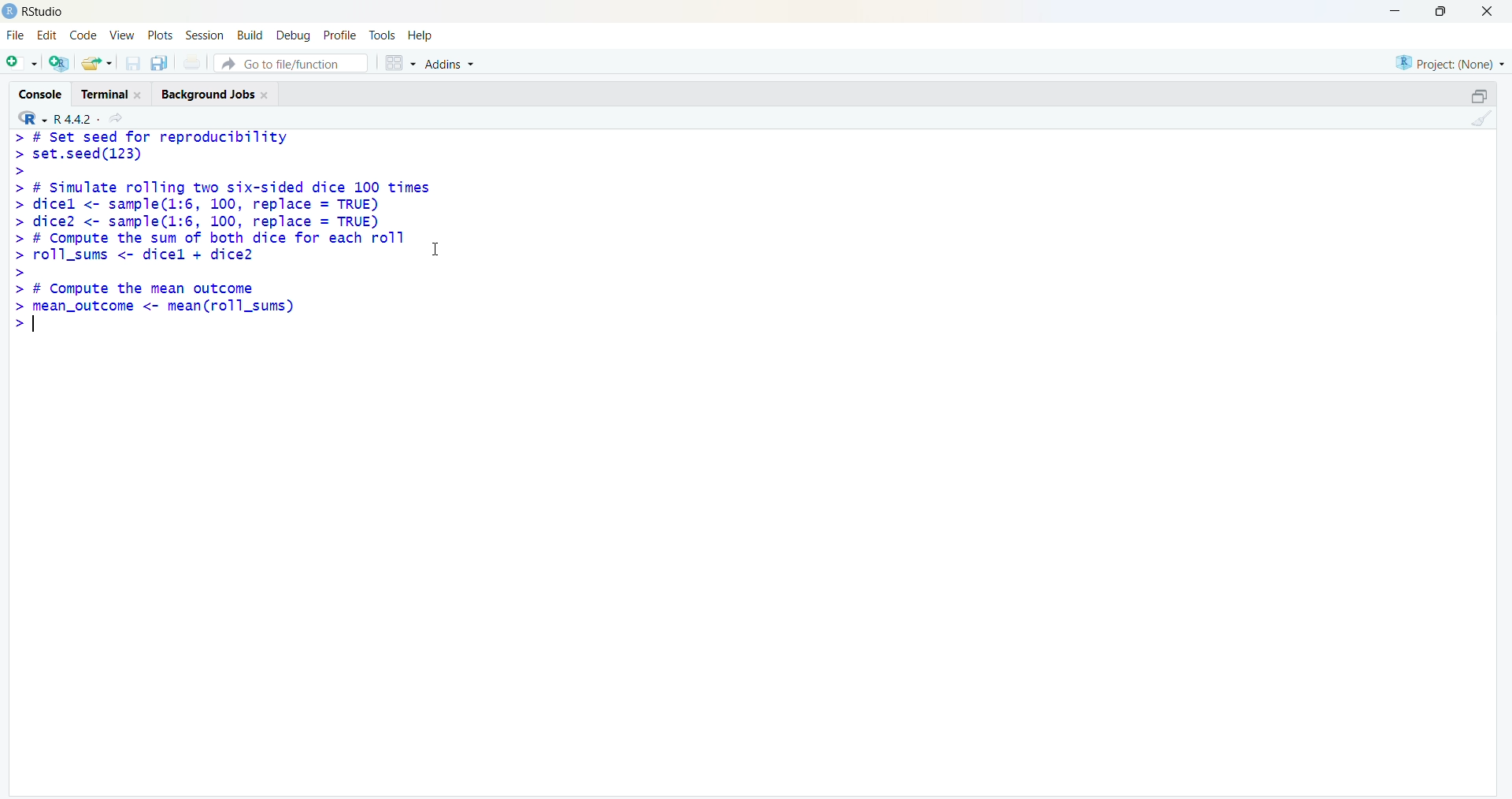  Describe the element at coordinates (40, 95) in the screenshot. I see `cosole` at that location.